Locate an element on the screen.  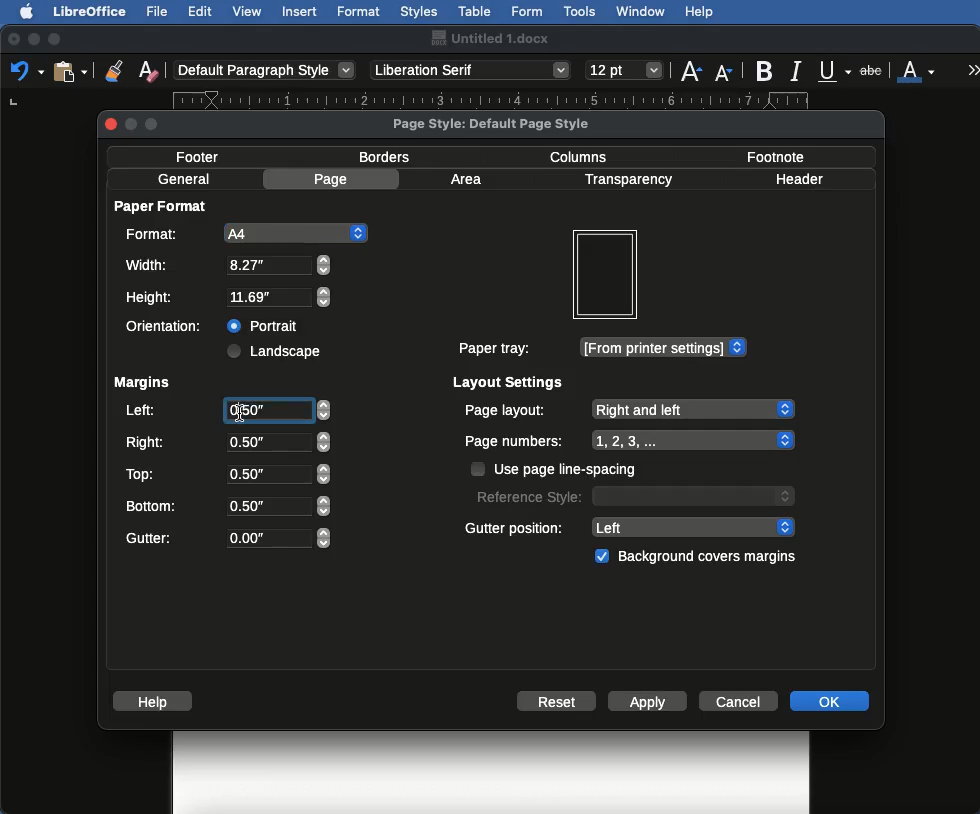
General is located at coordinates (184, 179).